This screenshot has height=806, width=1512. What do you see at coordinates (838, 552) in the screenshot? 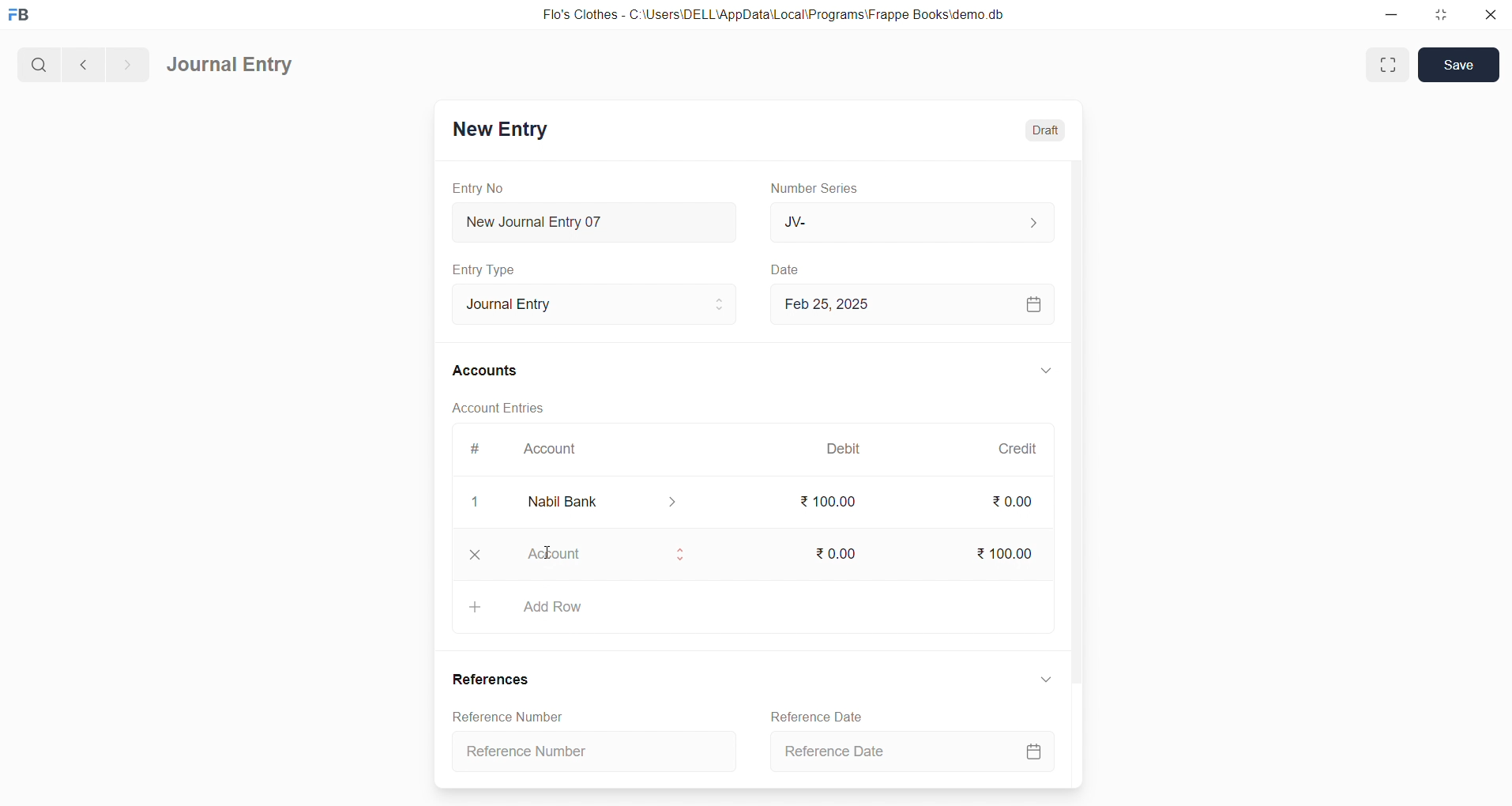
I see `₹ 0.00` at bounding box center [838, 552].